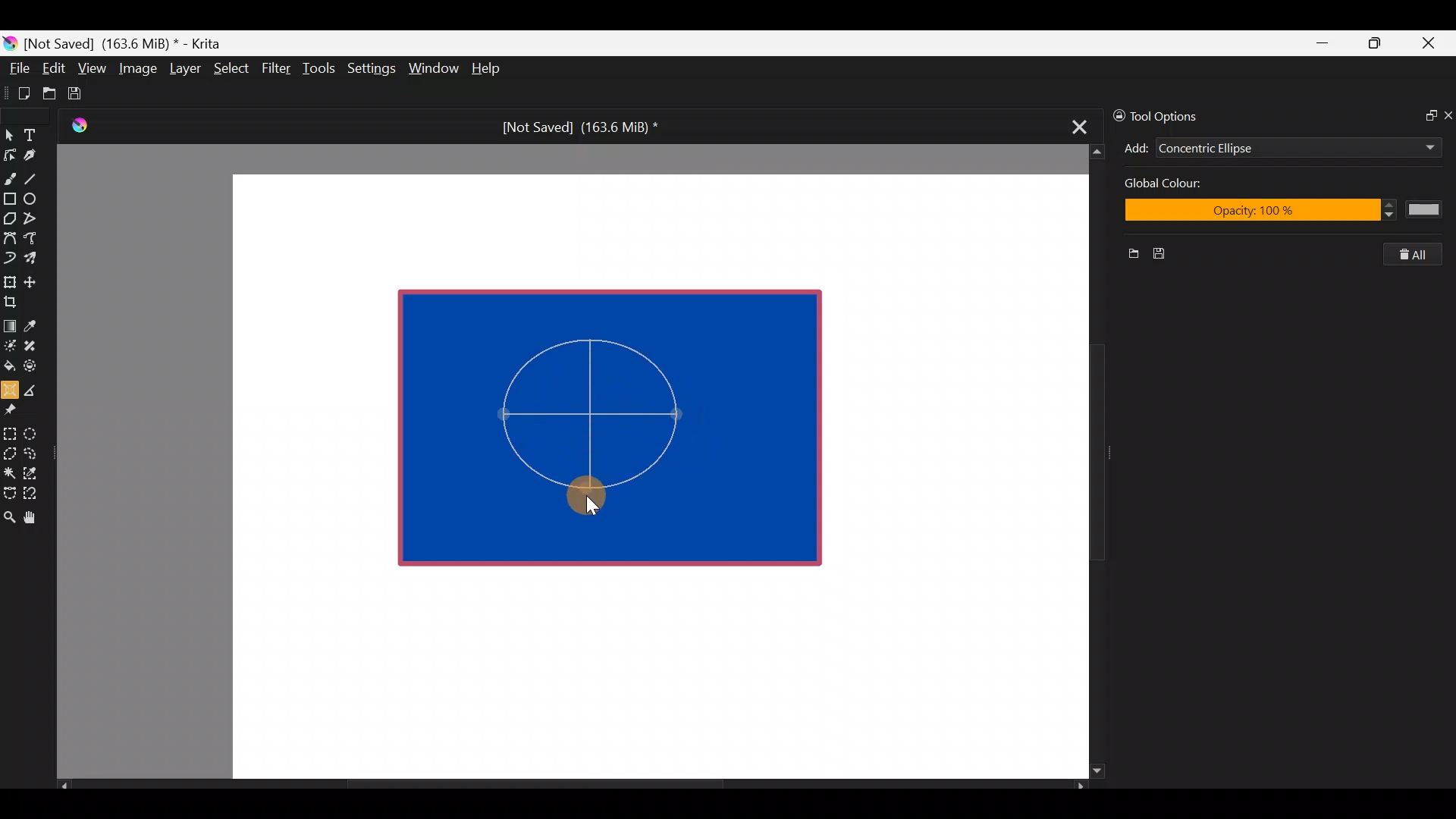  I want to click on Global color, so click(1205, 185).